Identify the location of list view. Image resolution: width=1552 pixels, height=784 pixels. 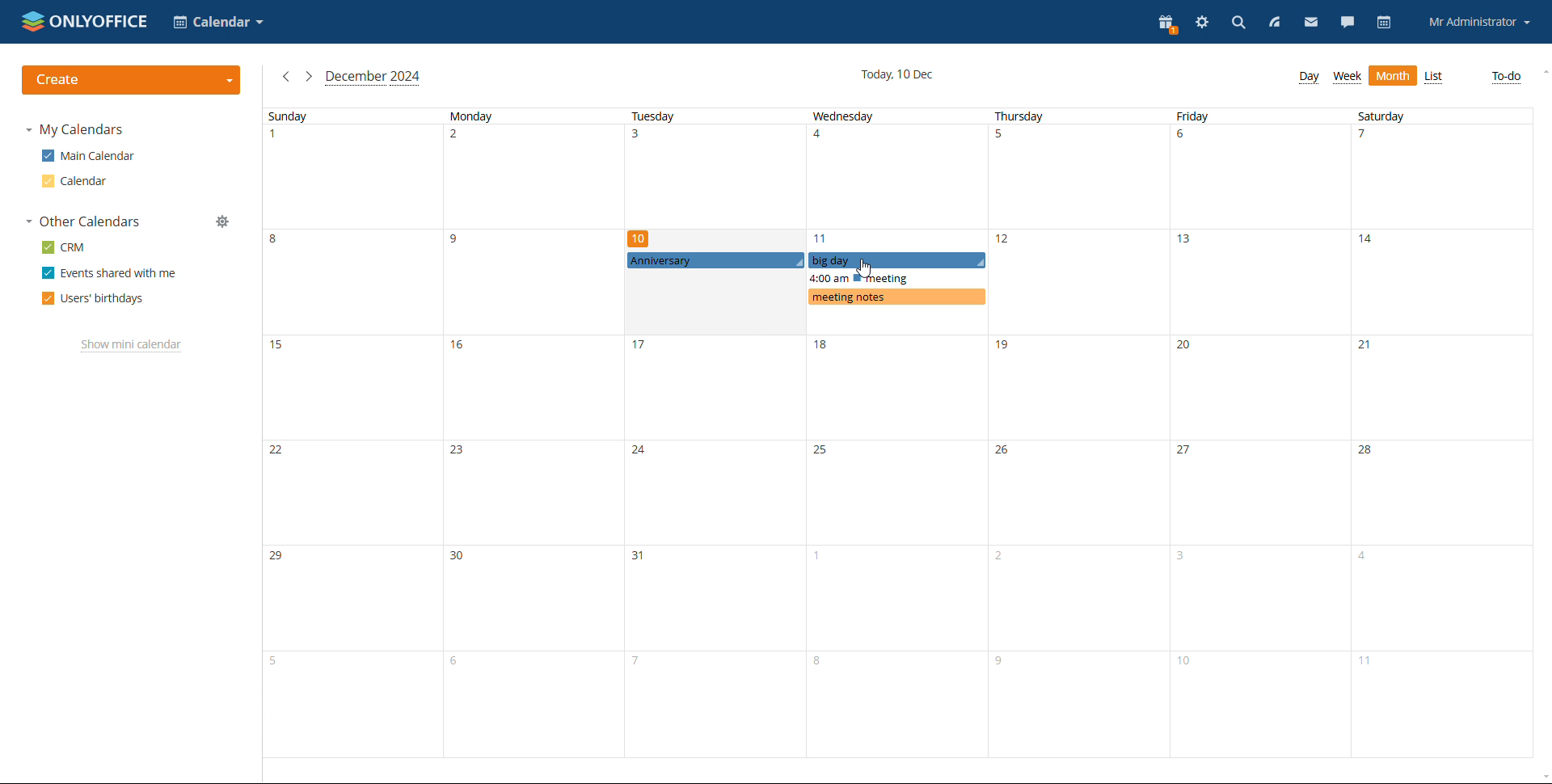
(1435, 78).